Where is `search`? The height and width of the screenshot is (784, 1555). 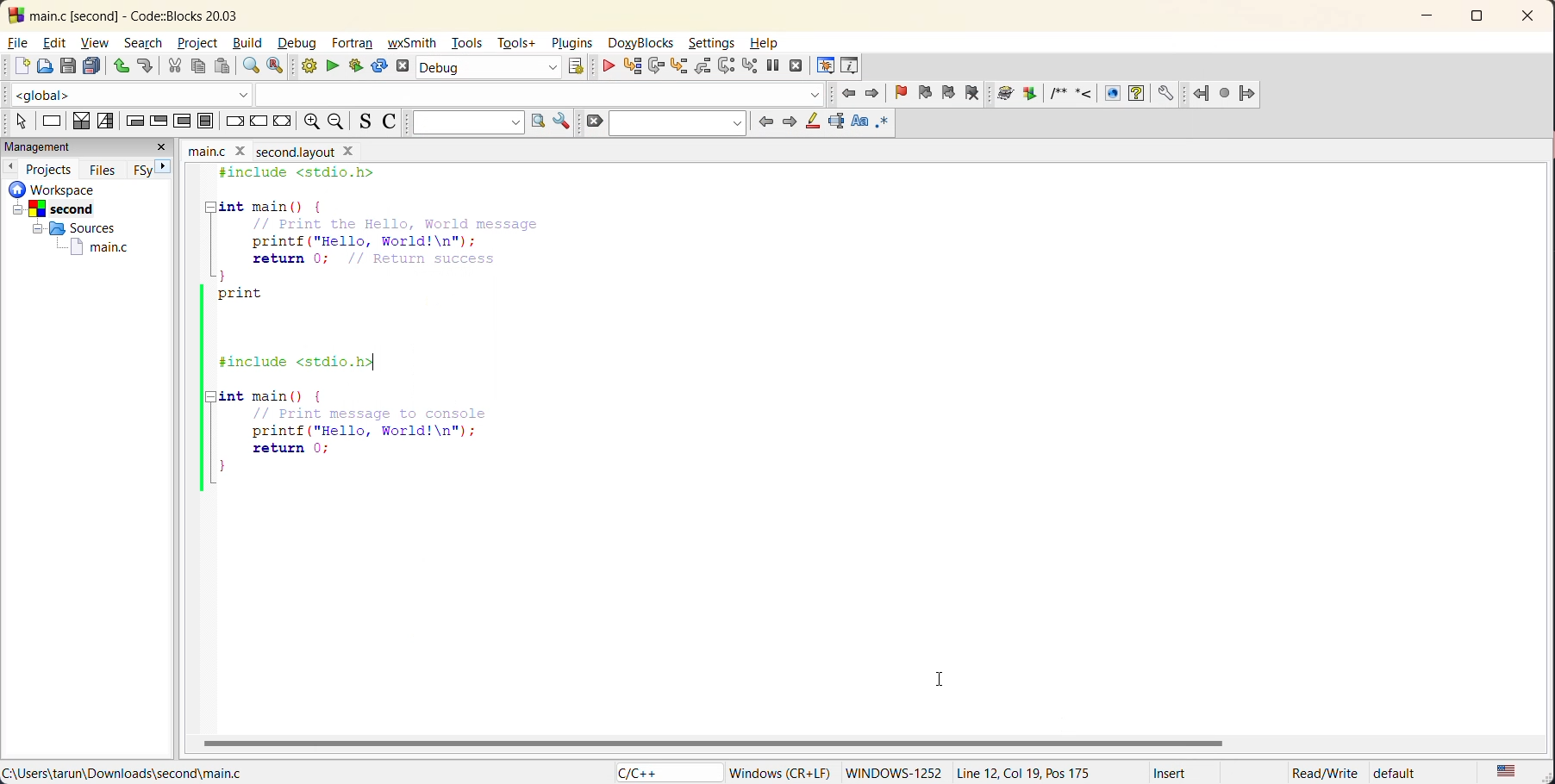
search is located at coordinates (146, 42).